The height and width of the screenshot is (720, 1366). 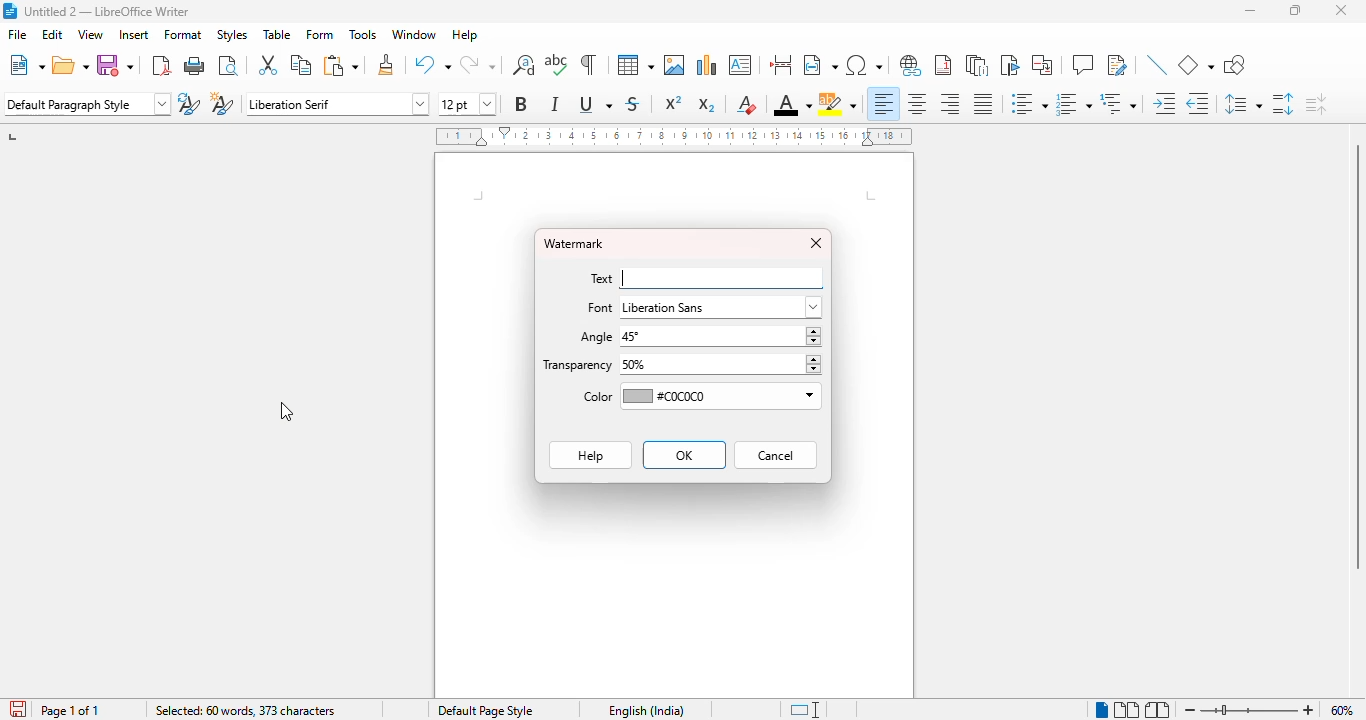 I want to click on insert, so click(x=134, y=34).